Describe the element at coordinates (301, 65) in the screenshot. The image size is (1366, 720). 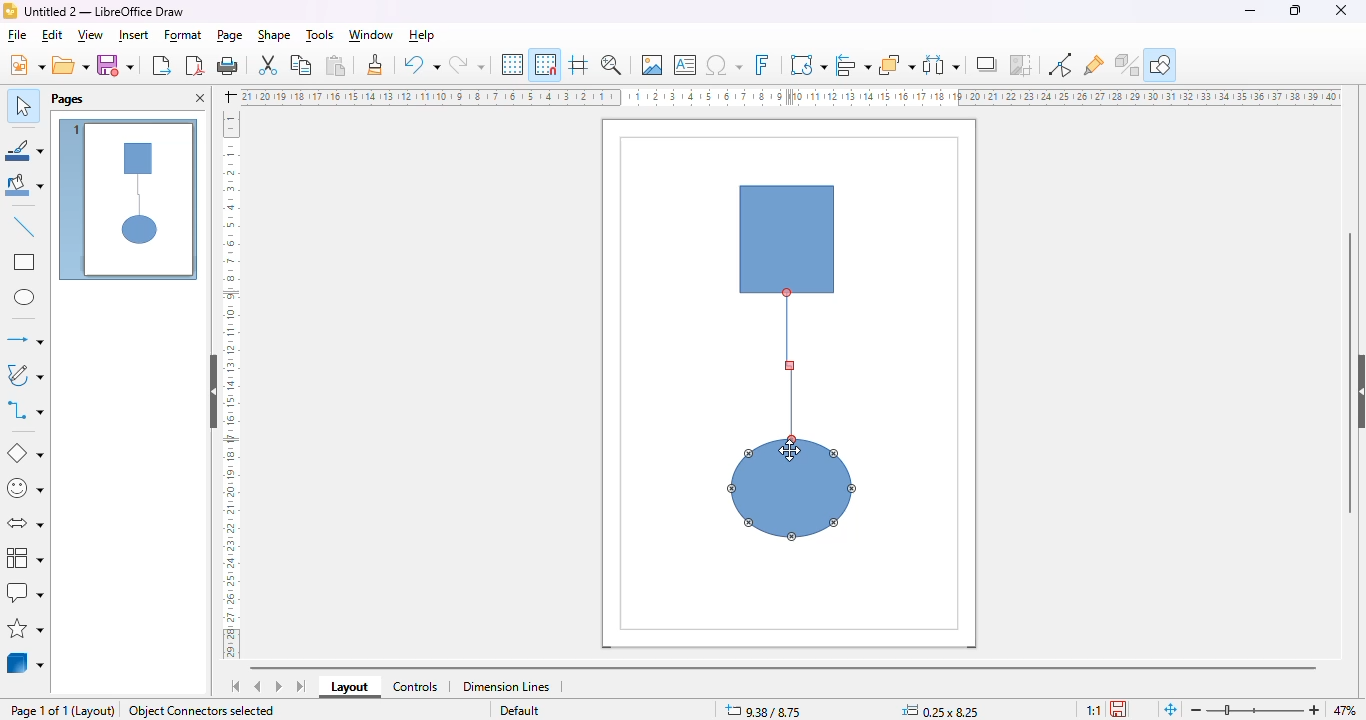
I see `copy` at that location.